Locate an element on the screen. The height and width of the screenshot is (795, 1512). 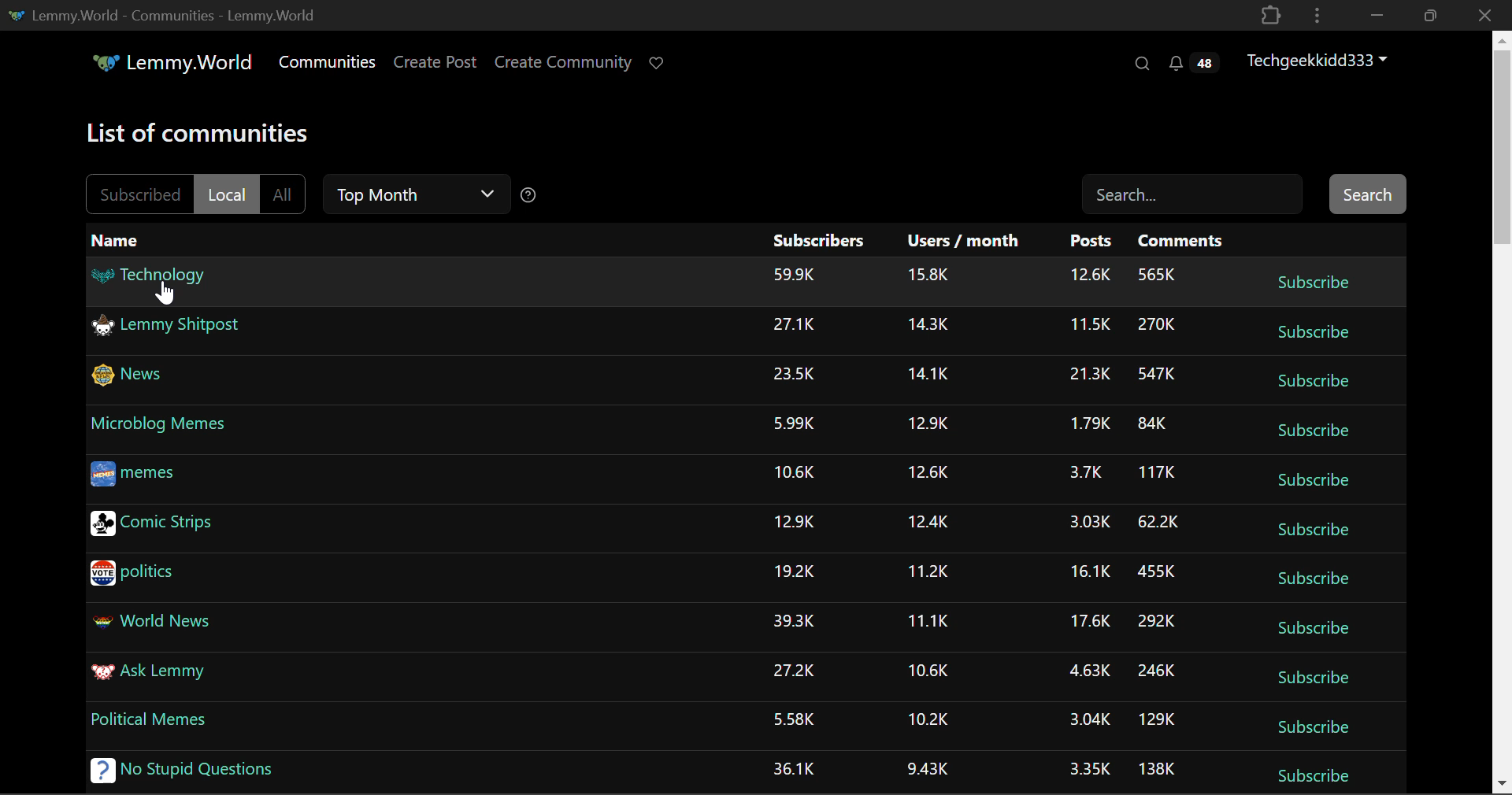
politics is located at coordinates (137, 573).